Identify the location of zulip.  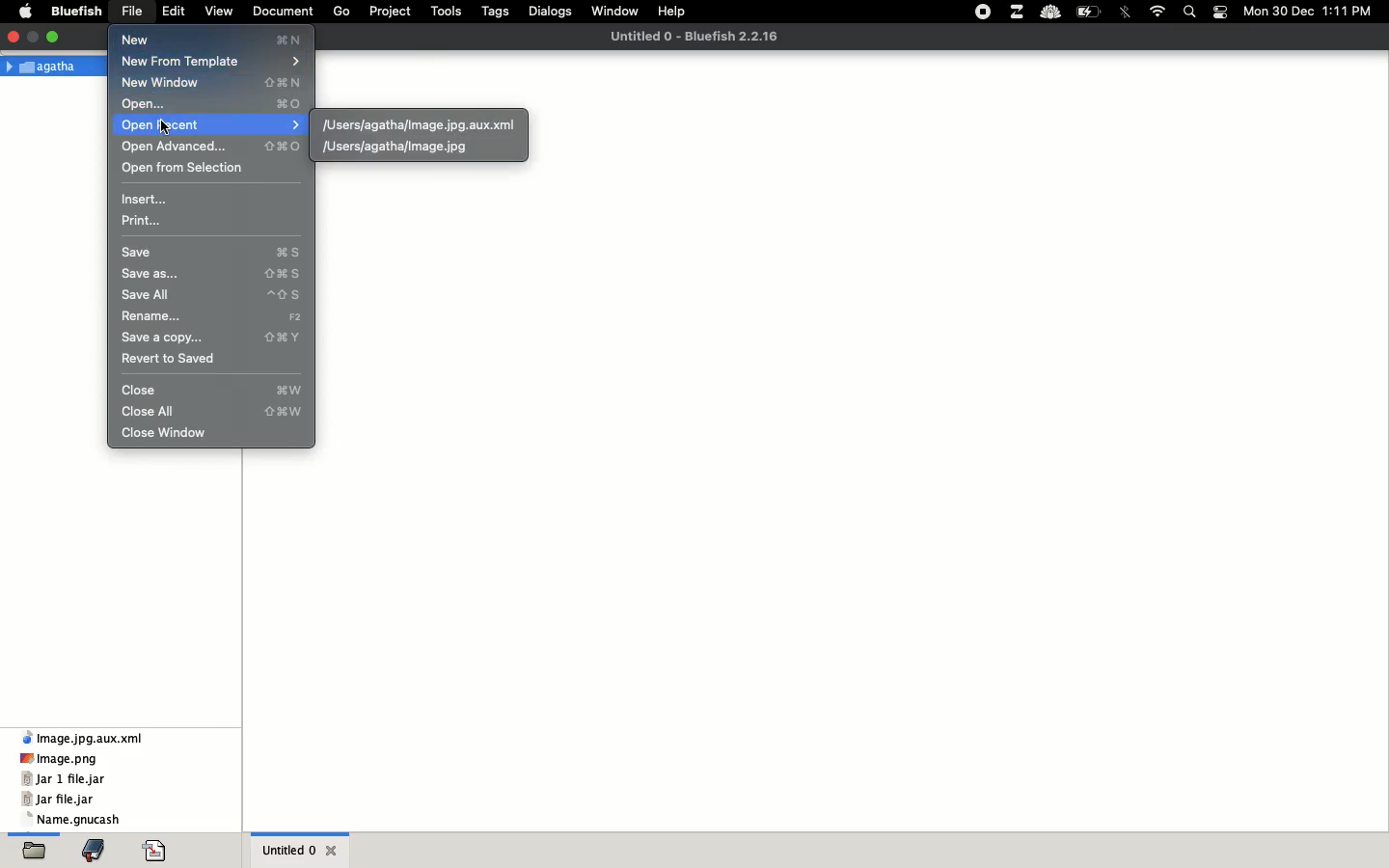
(1019, 12).